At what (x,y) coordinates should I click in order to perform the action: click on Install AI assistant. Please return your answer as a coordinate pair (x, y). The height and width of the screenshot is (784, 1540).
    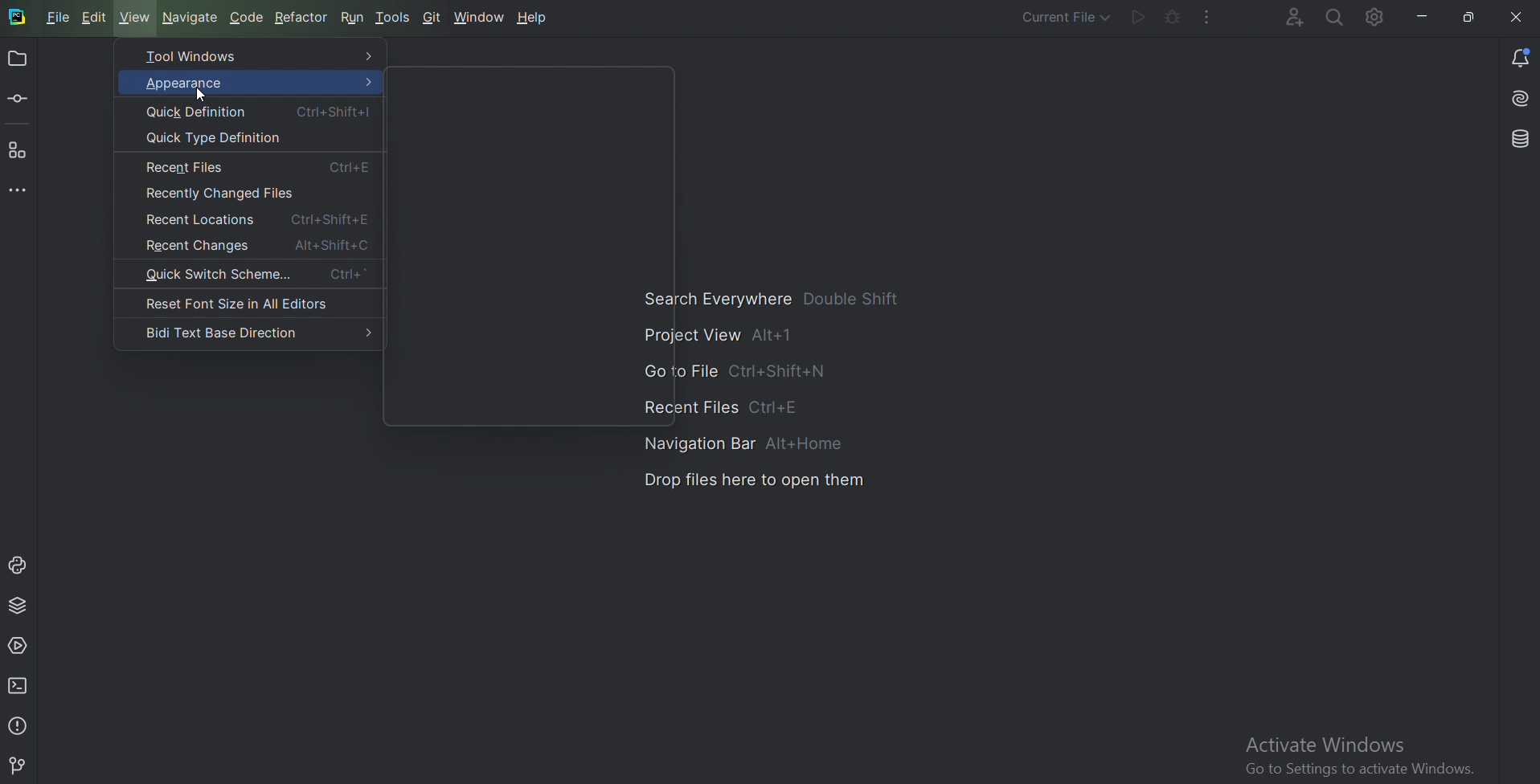
    Looking at the image, I should click on (1517, 99).